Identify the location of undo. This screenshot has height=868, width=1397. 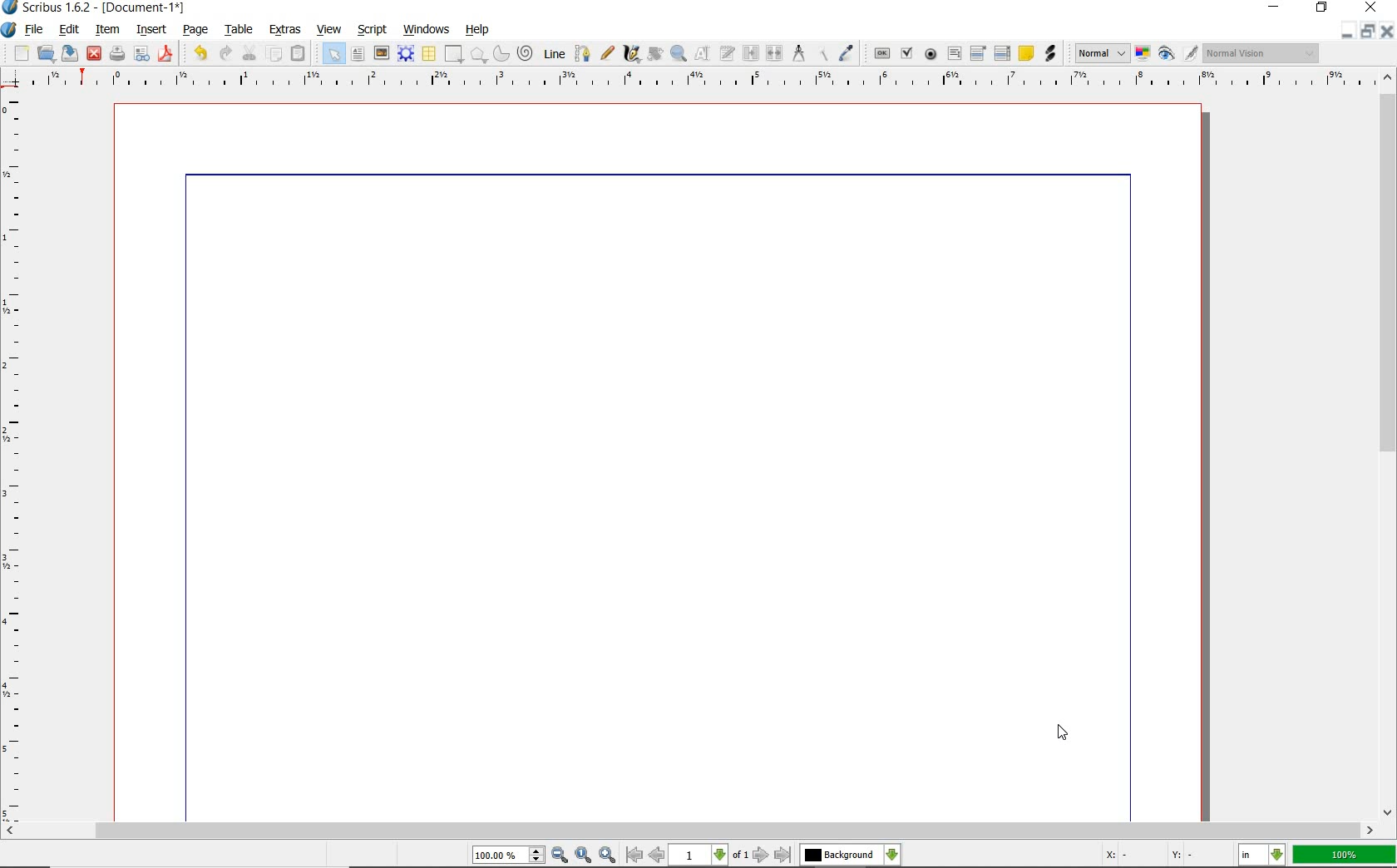
(200, 55).